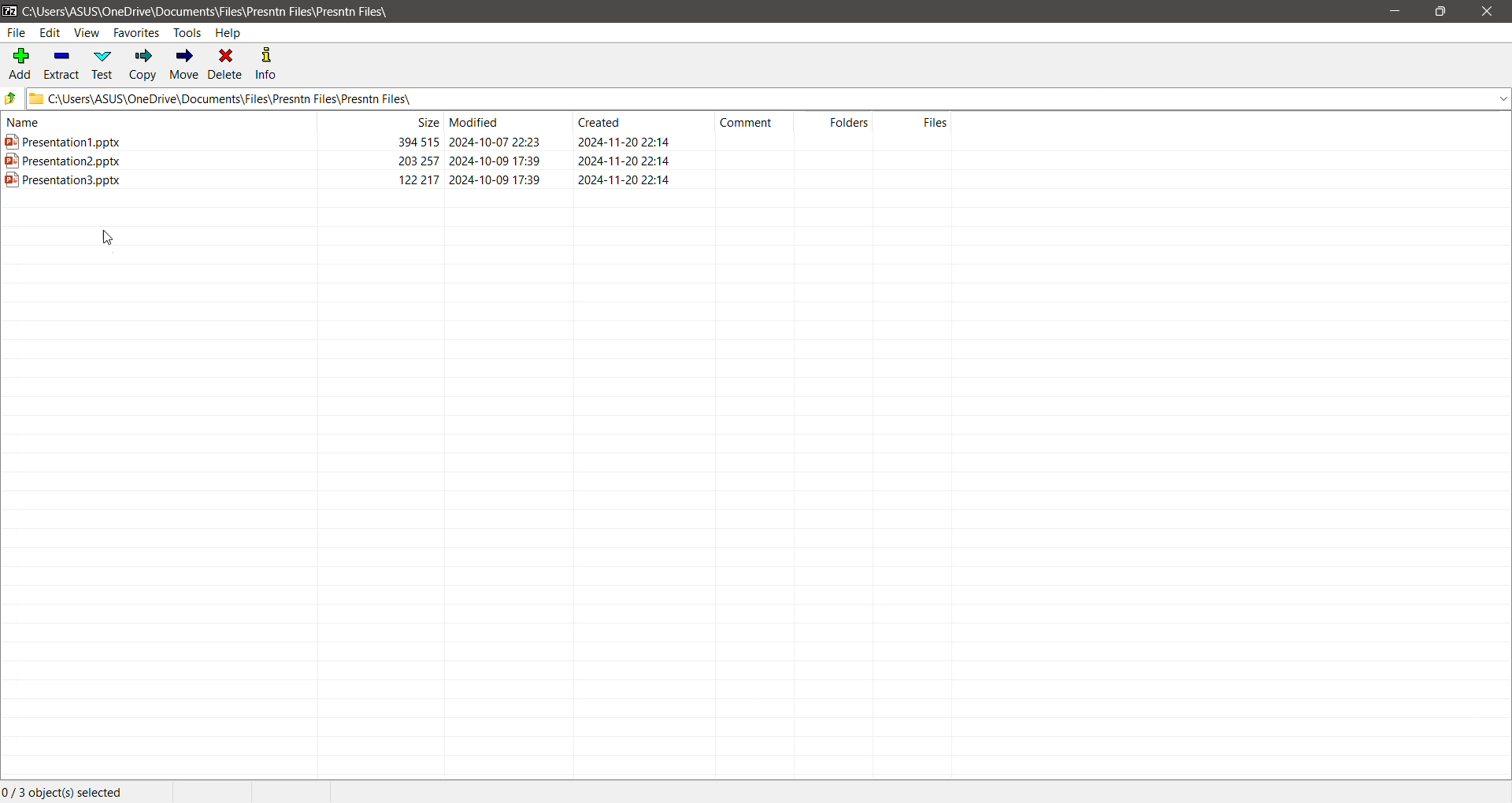 Image resolution: width=1512 pixels, height=803 pixels. What do you see at coordinates (63, 63) in the screenshot?
I see `Extract` at bounding box center [63, 63].